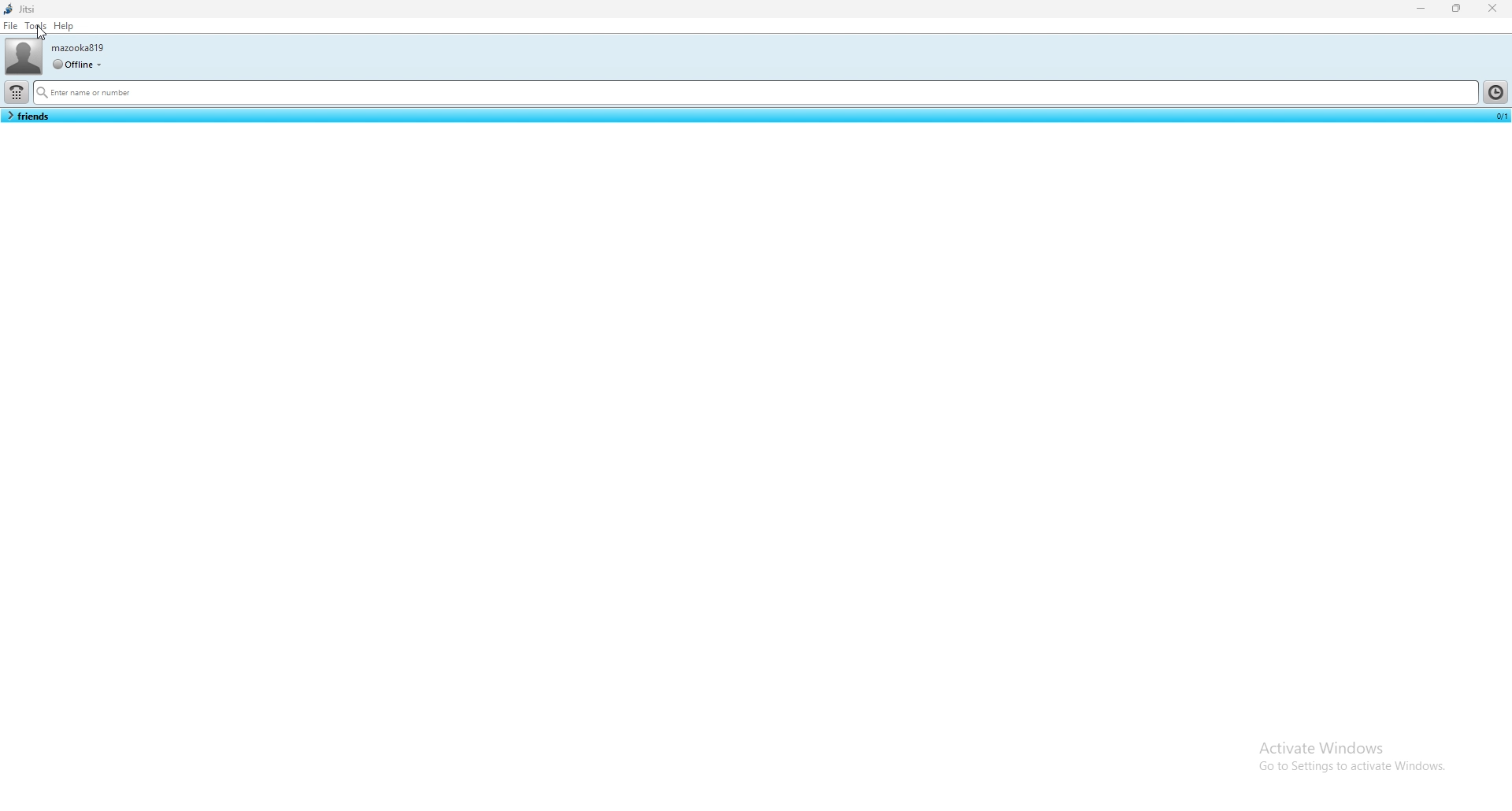  I want to click on cursor, so click(42, 34).